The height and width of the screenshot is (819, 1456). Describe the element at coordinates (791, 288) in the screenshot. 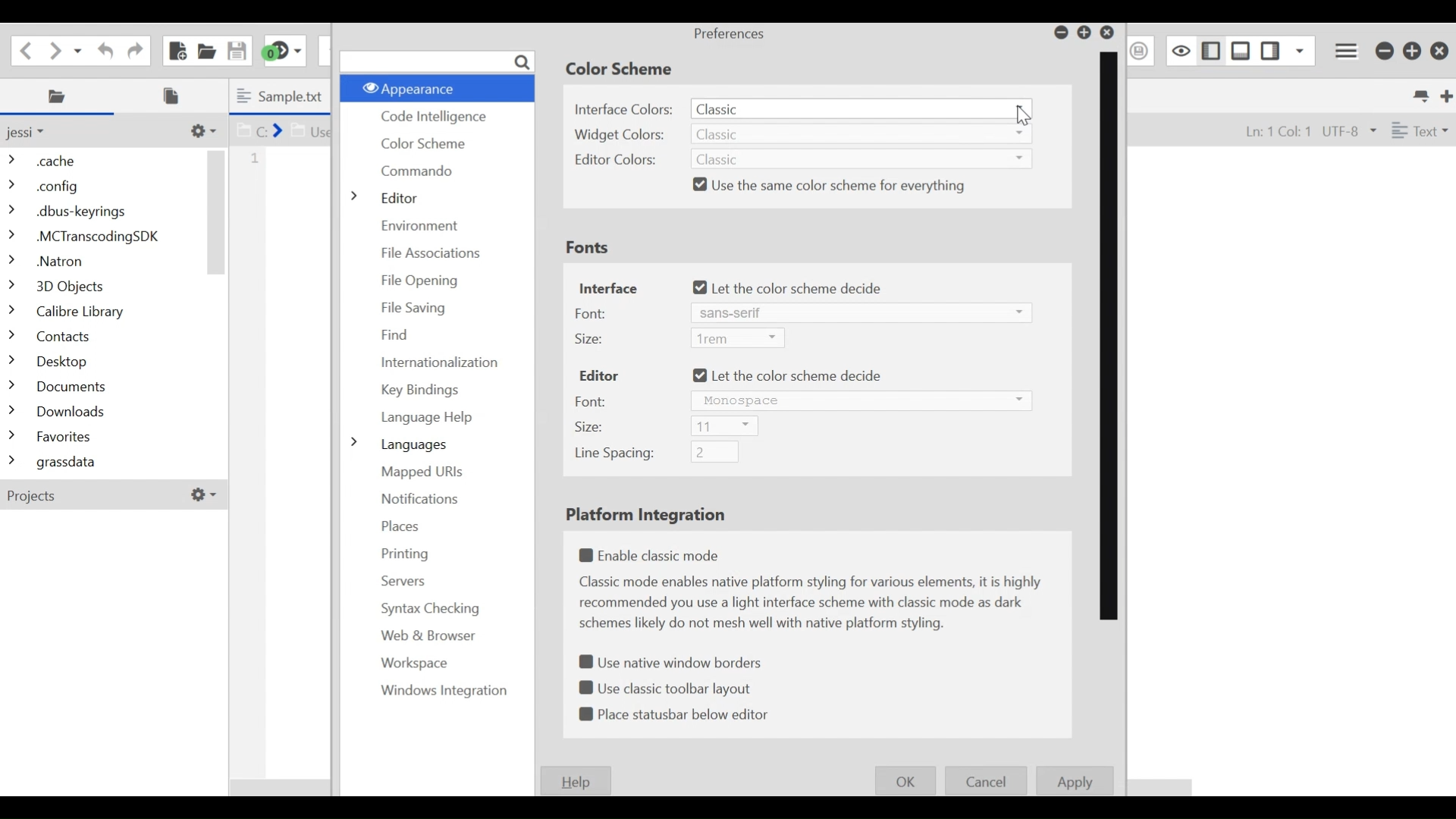

I see `(un)select let the color scheme decide` at that location.